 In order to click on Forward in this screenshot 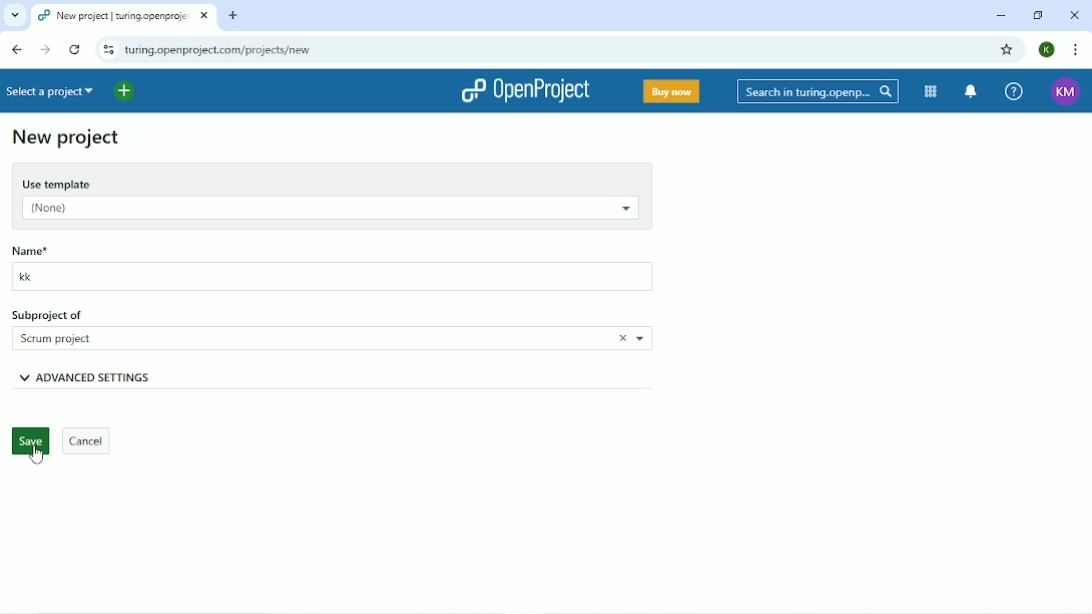, I will do `click(46, 50)`.